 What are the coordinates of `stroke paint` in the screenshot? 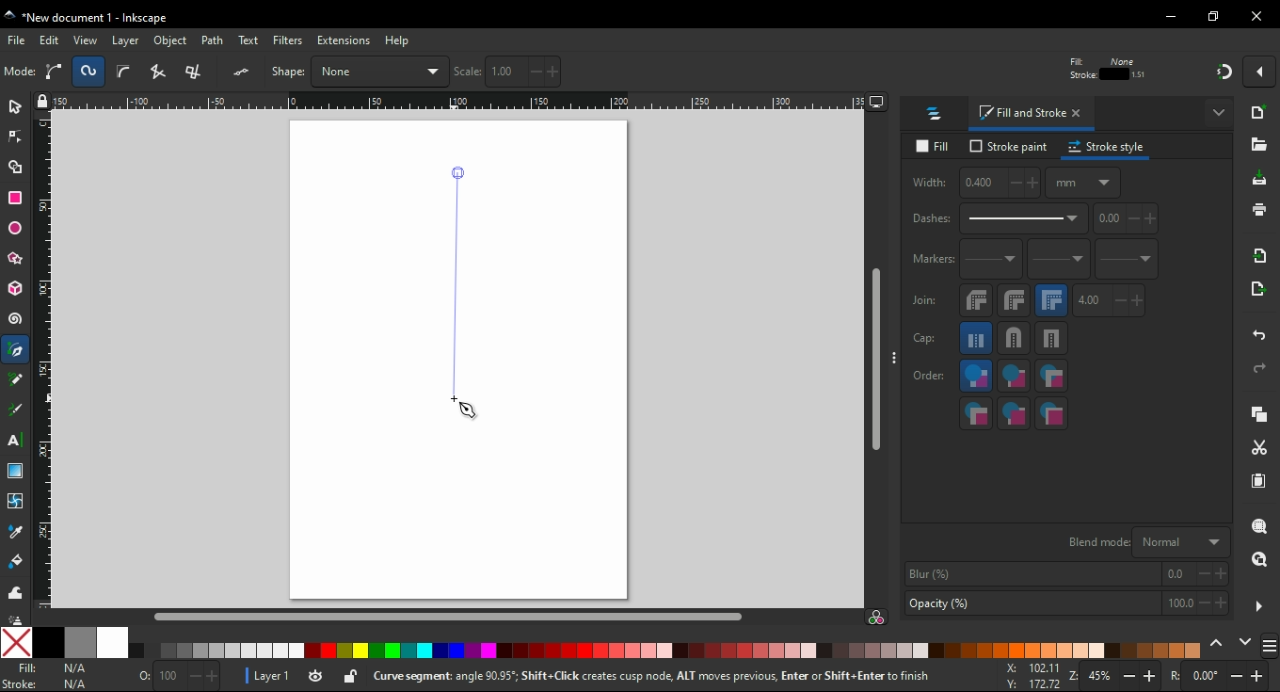 It's located at (1009, 146).